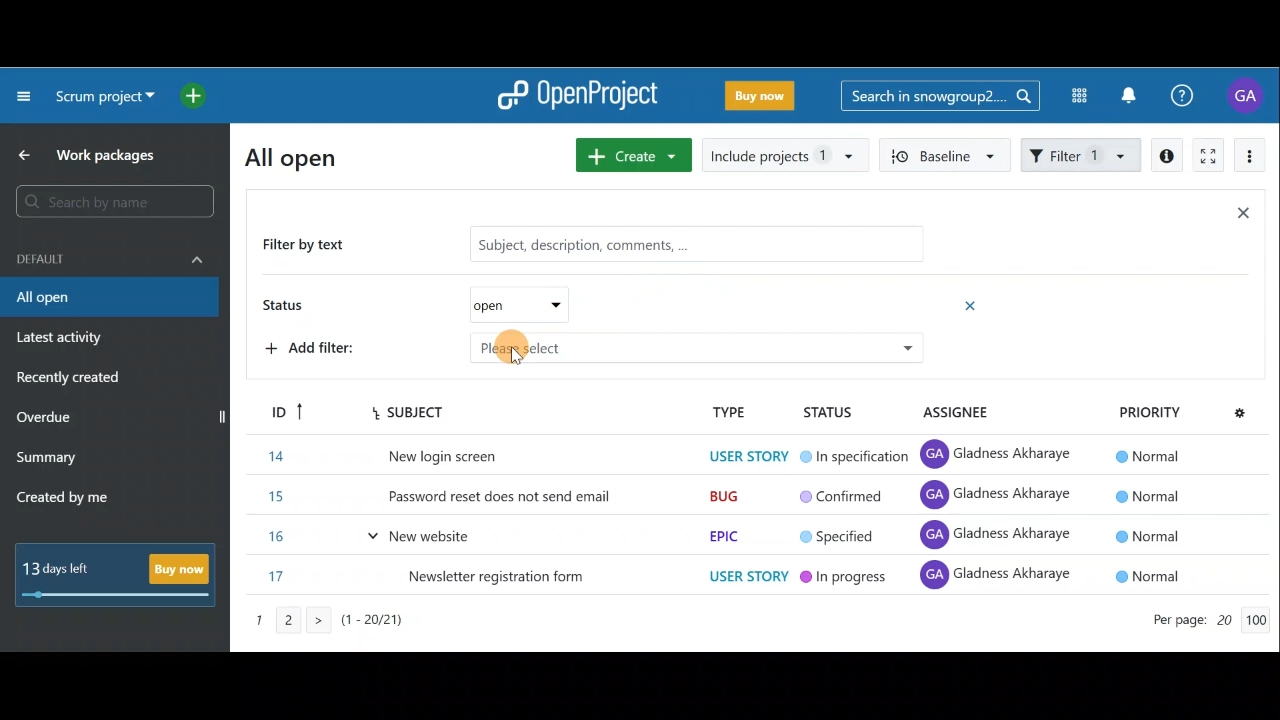  What do you see at coordinates (1250, 159) in the screenshot?
I see `More actions` at bounding box center [1250, 159].